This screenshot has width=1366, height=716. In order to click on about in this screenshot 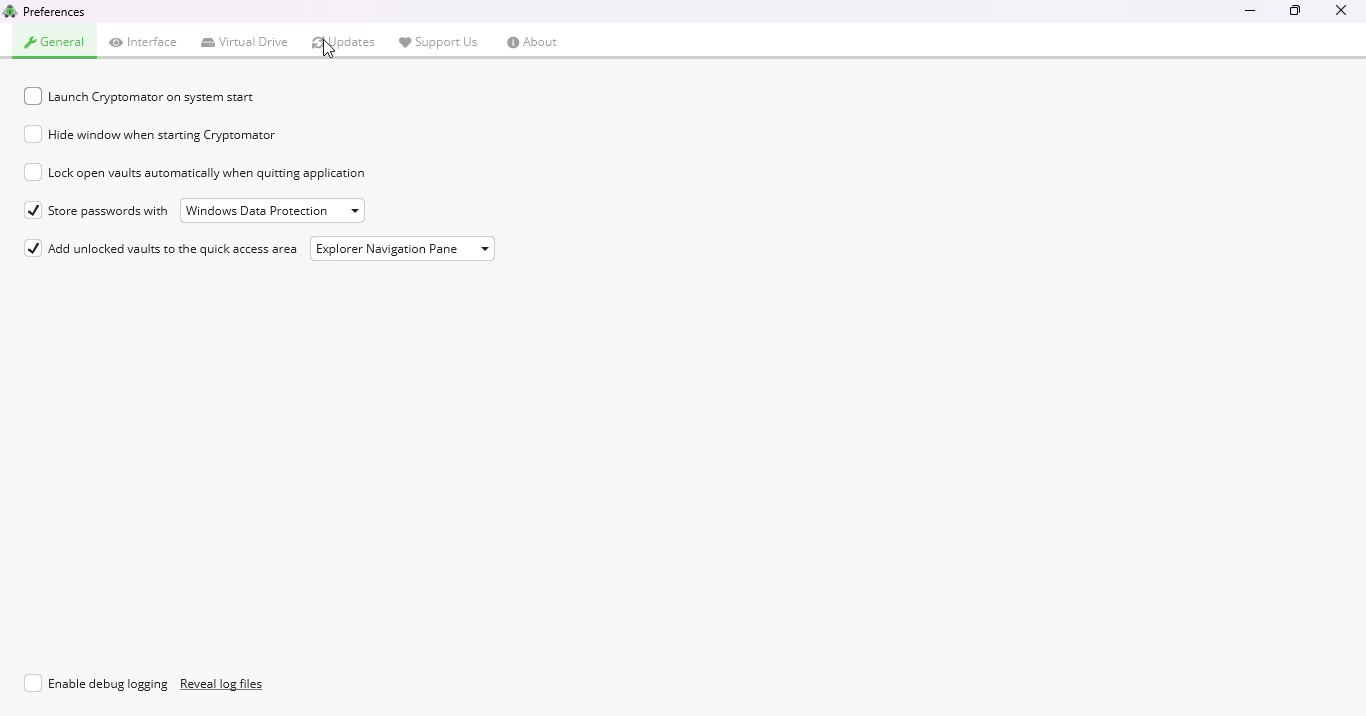, I will do `click(533, 42)`.